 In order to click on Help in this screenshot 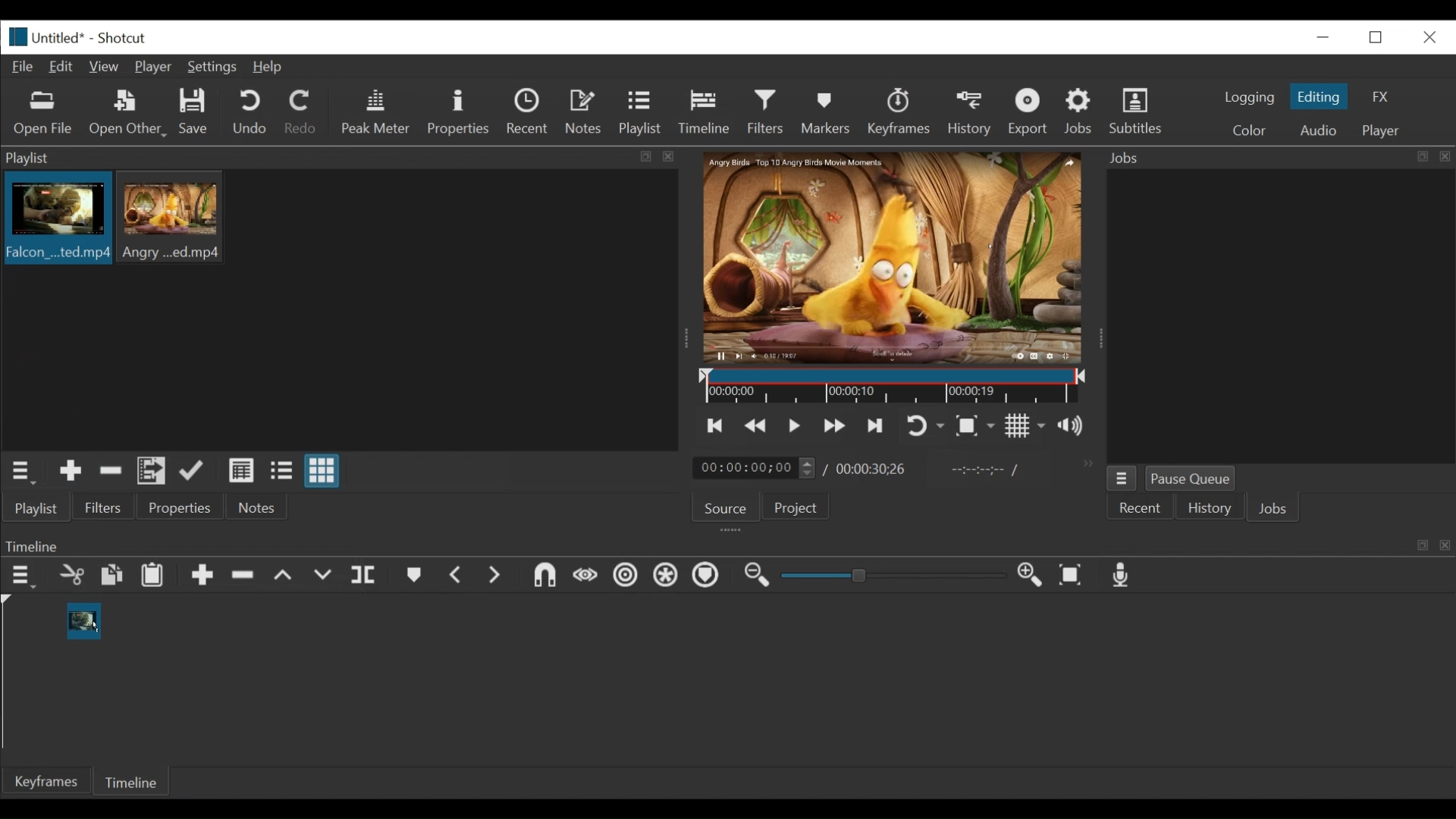, I will do `click(268, 67)`.